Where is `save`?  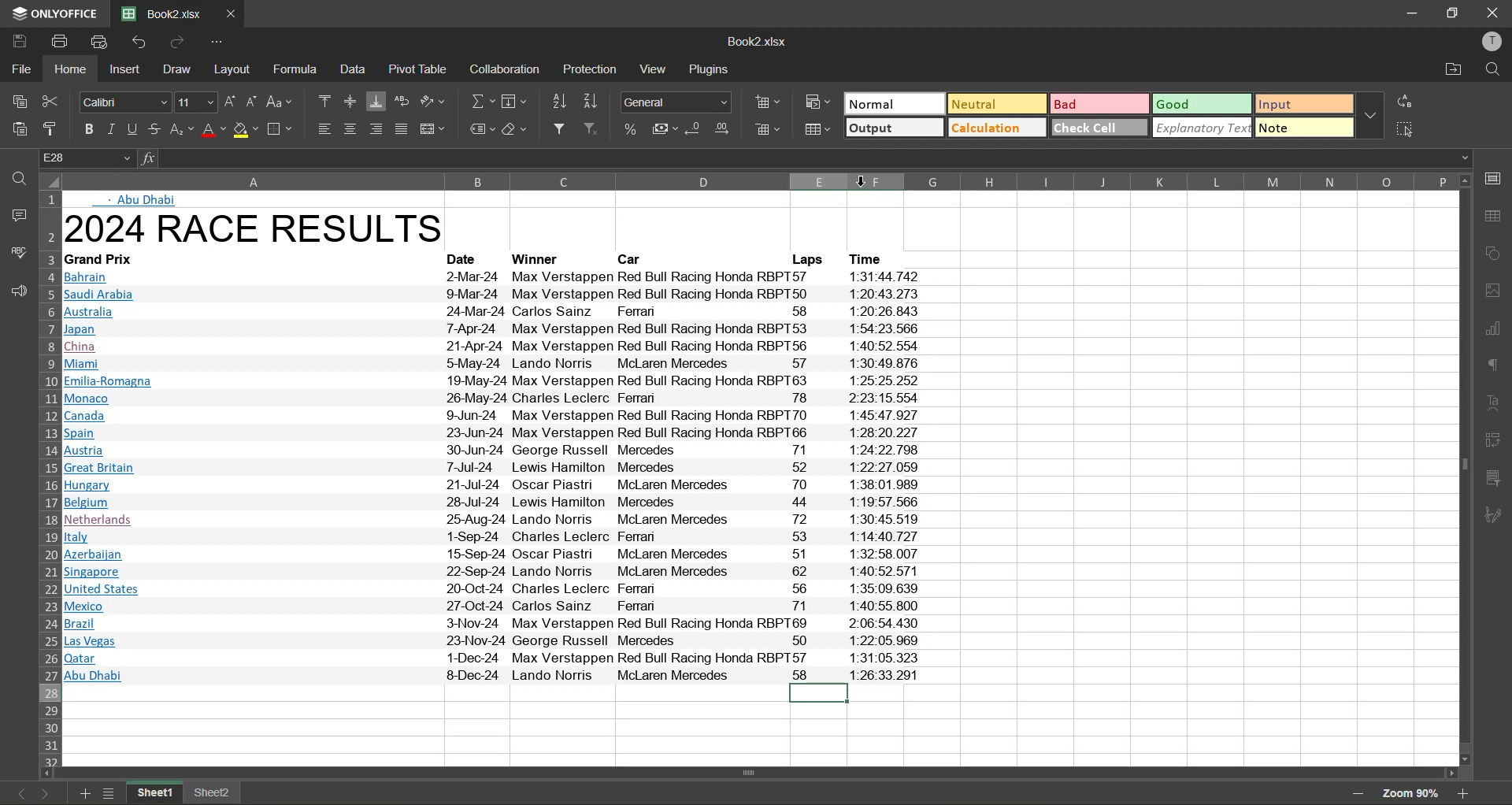 save is located at coordinates (18, 42).